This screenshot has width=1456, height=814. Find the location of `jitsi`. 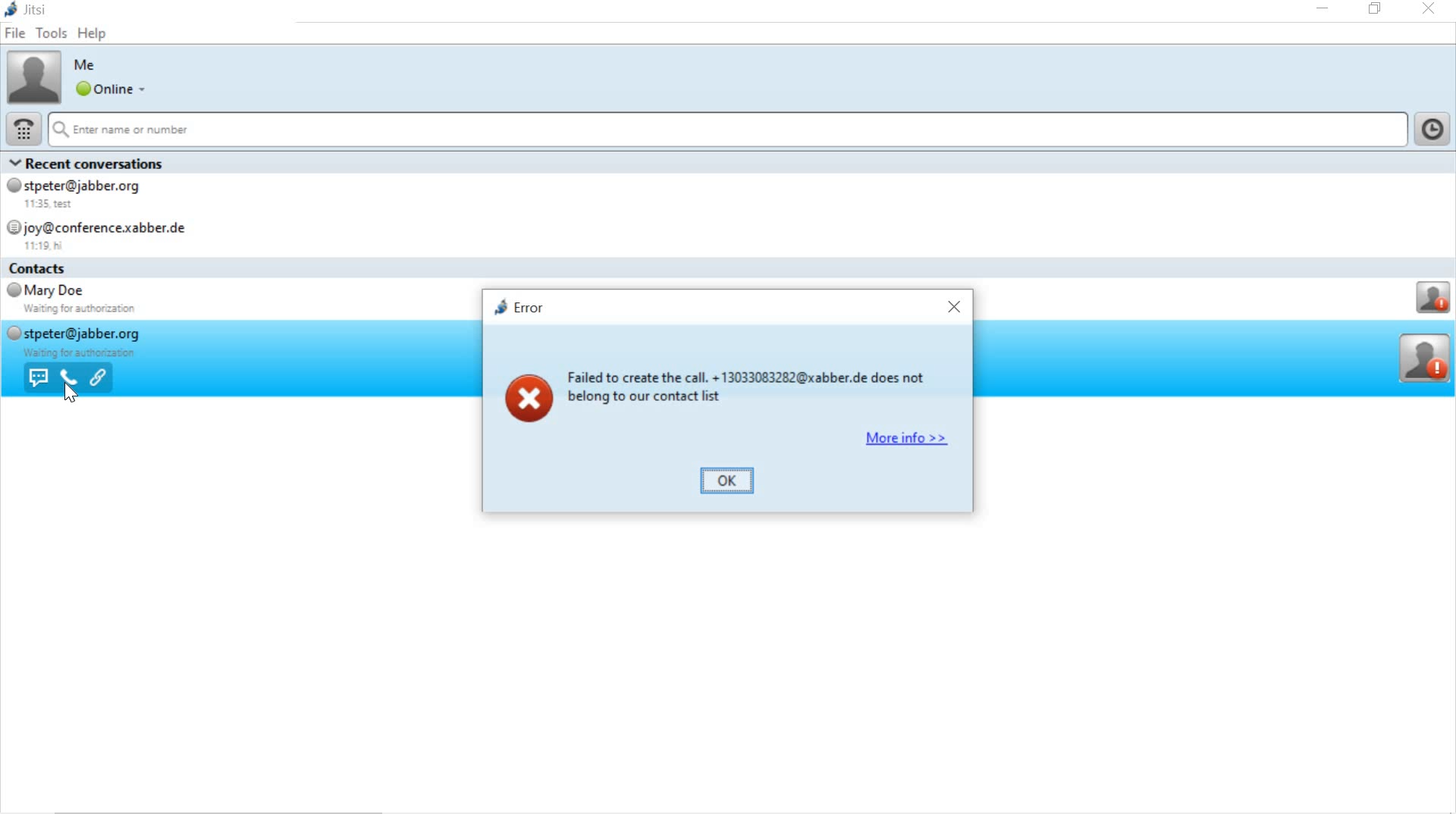

jitsi is located at coordinates (30, 11).